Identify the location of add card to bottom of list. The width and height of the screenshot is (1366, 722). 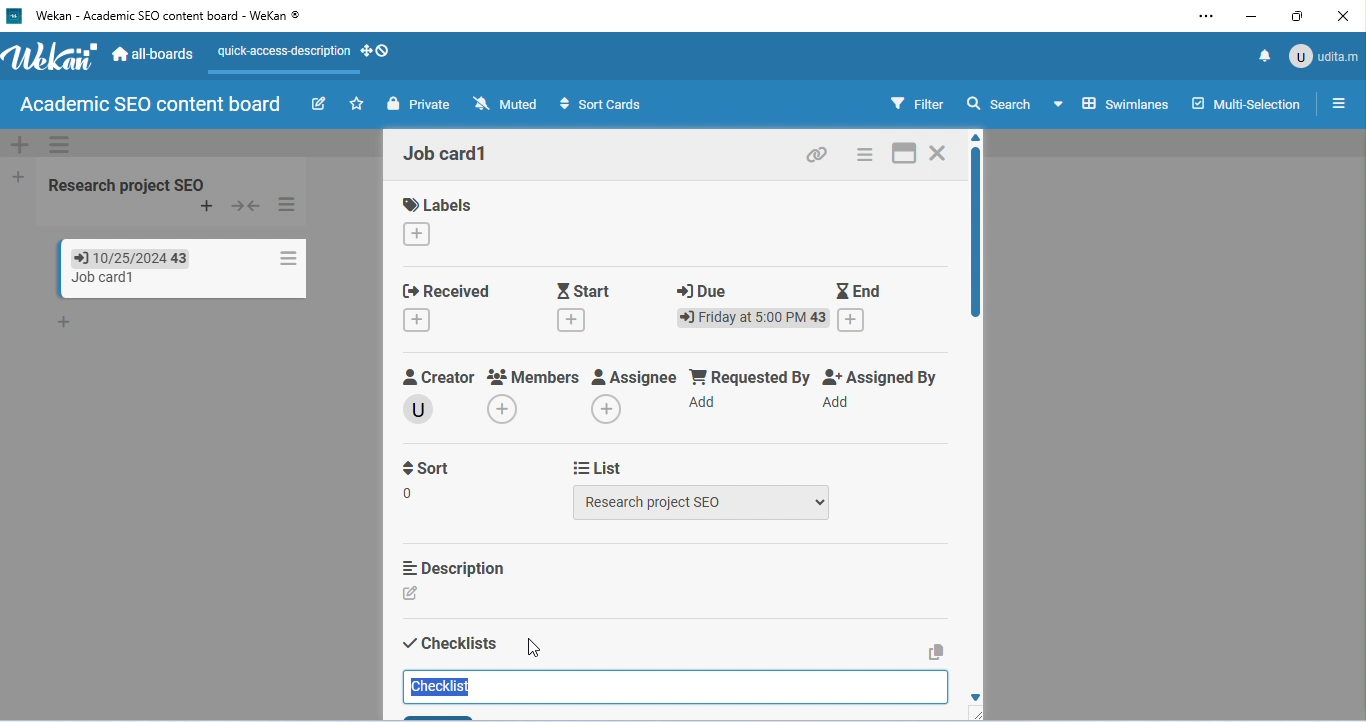
(67, 323).